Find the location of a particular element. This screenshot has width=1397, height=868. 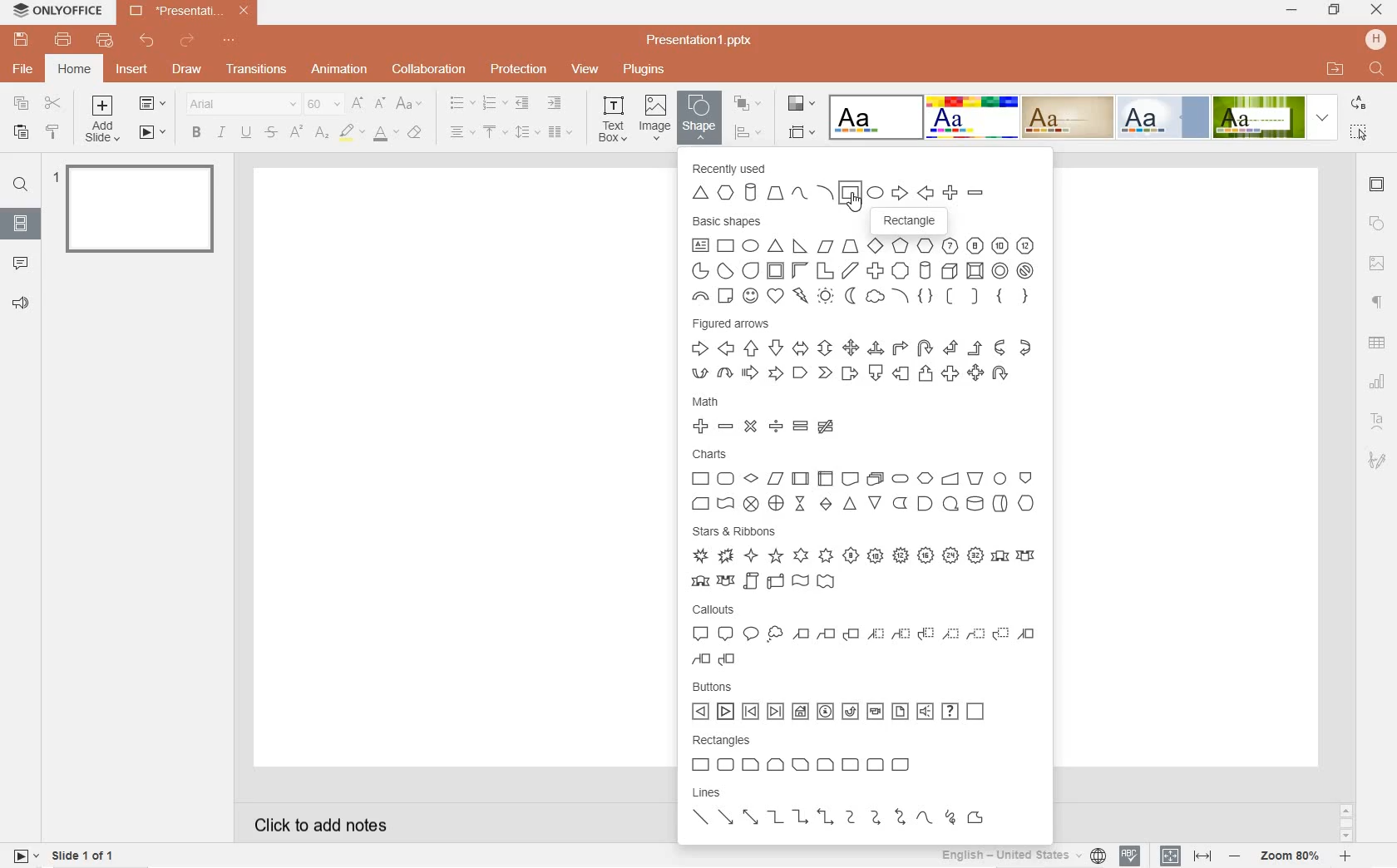

copy style is located at coordinates (54, 134).